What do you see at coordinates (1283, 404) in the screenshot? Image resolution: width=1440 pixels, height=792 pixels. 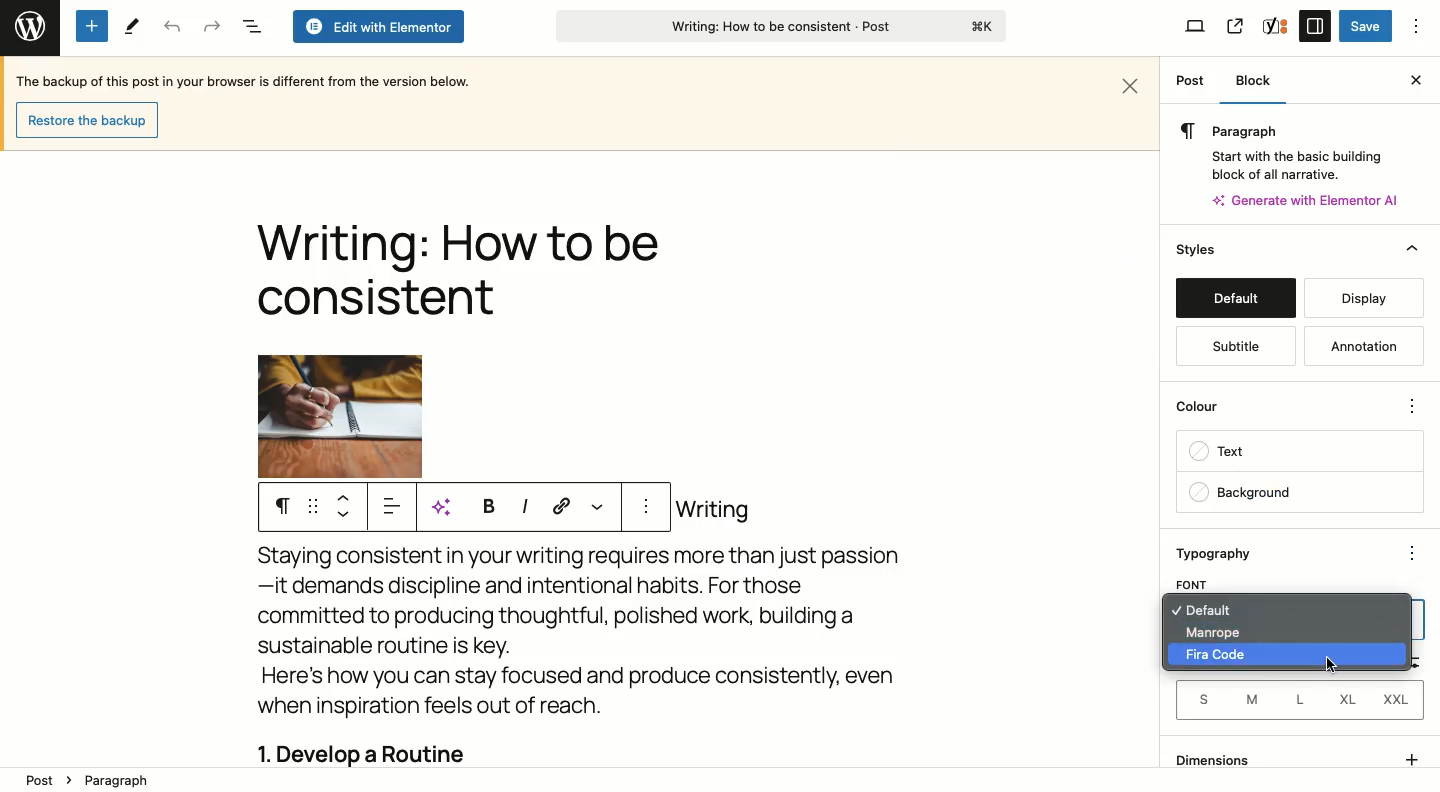 I see `Colour` at bounding box center [1283, 404].